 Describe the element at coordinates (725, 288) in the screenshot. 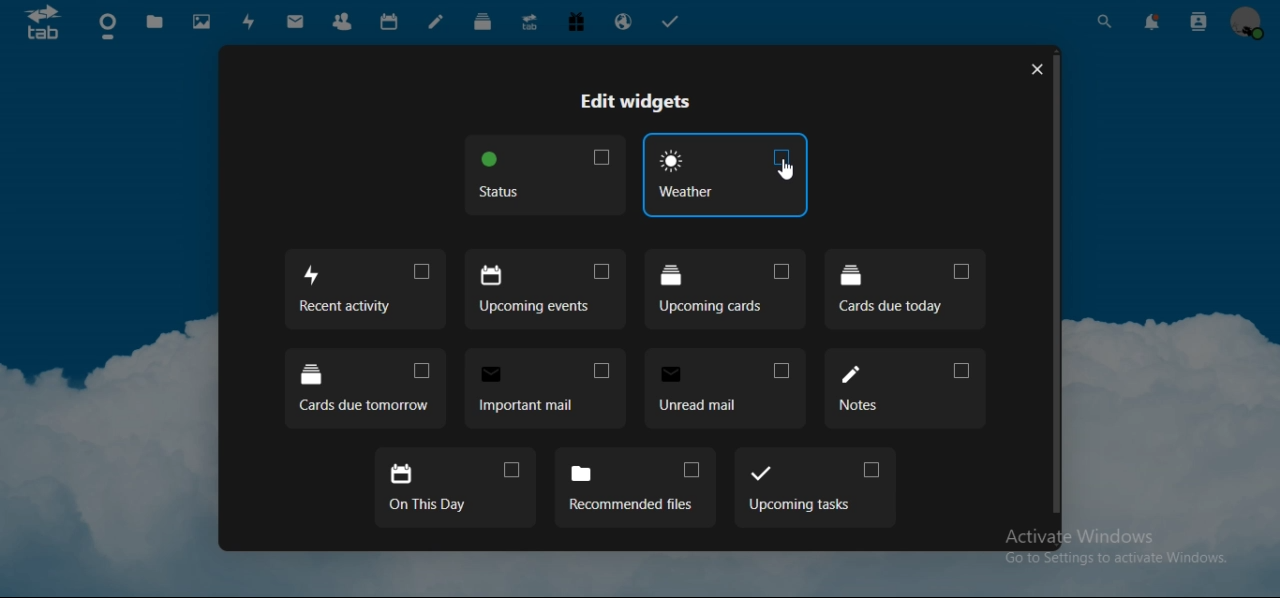

I see `upcoming cards` at that location.